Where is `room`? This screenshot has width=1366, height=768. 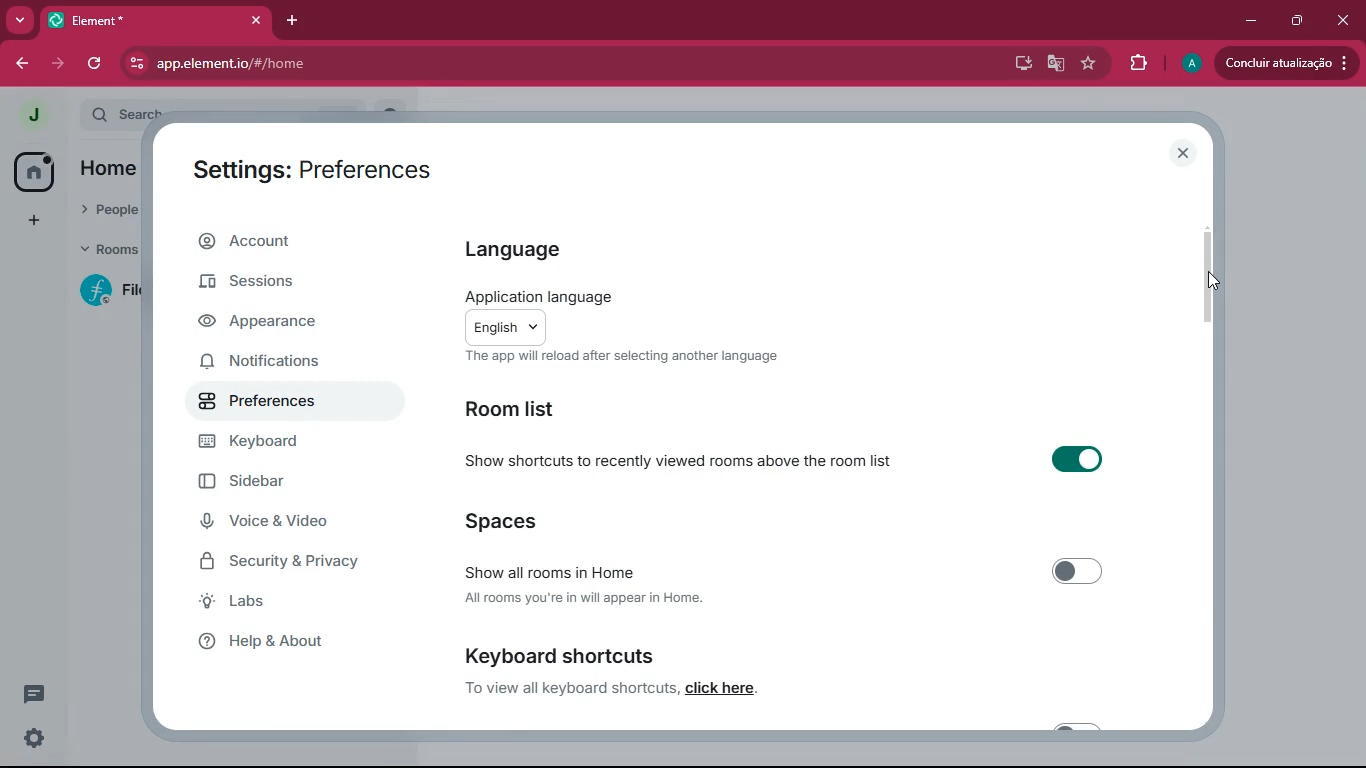
room is located at coordinates (102, 291).